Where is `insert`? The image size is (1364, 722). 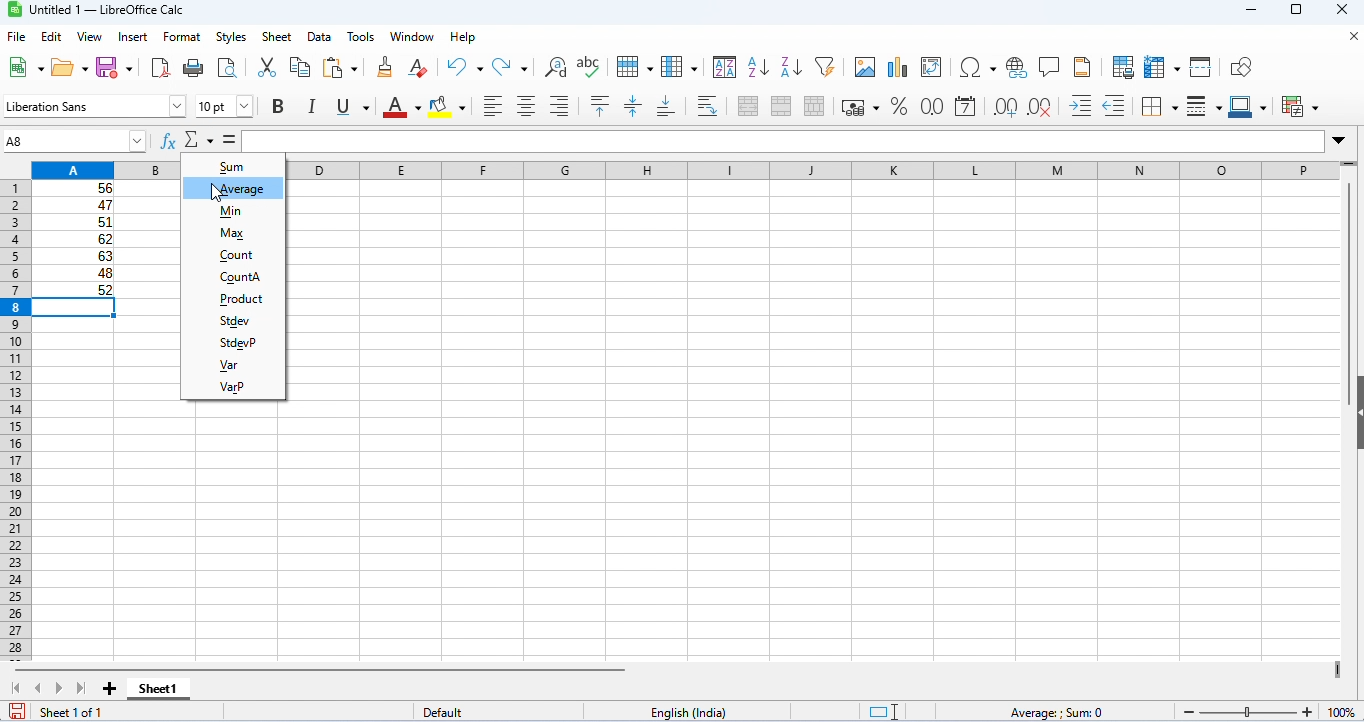
insert is located at coordinates (136, 36).